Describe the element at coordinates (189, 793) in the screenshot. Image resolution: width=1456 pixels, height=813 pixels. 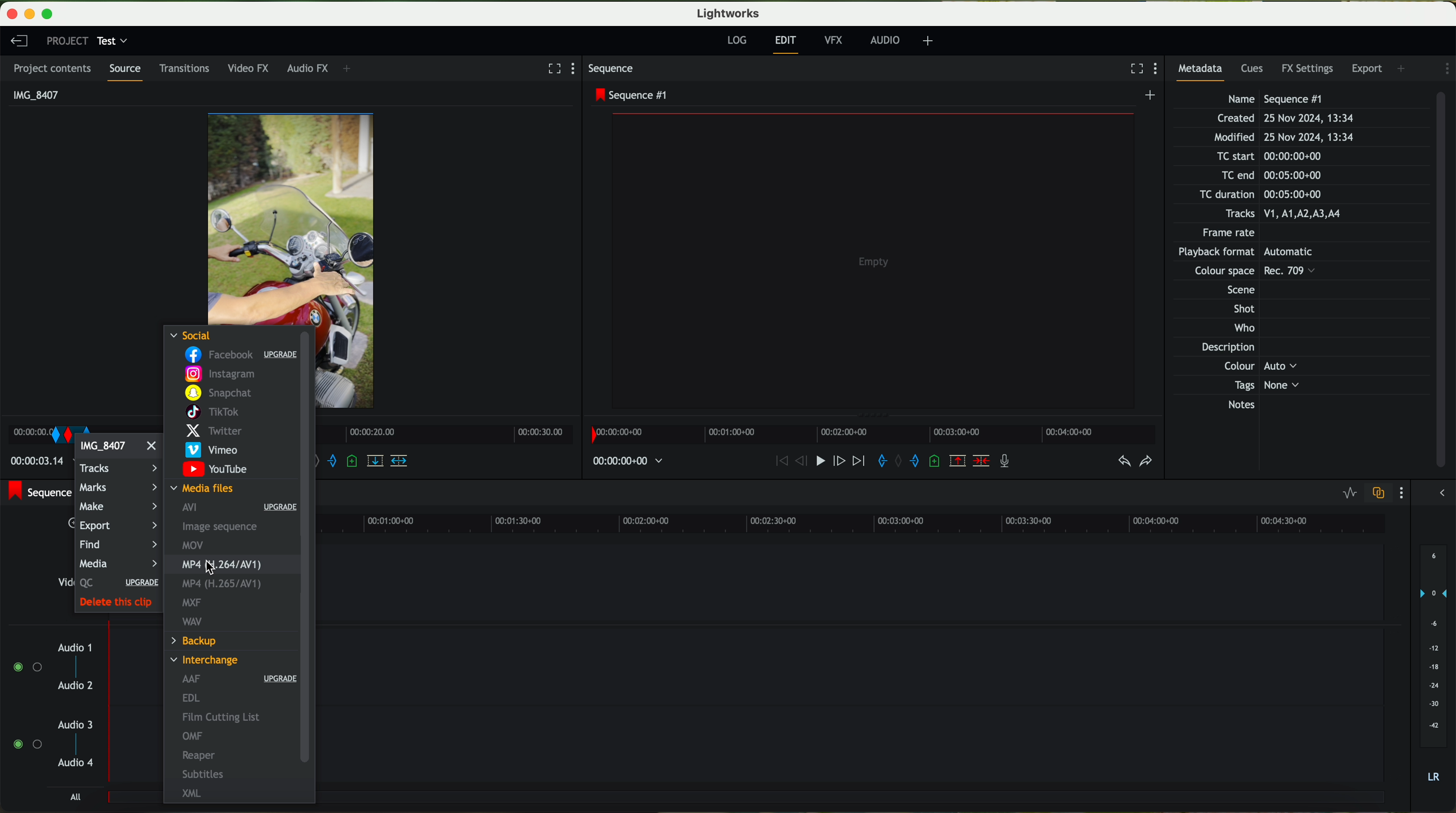
I see `XML` at that location.